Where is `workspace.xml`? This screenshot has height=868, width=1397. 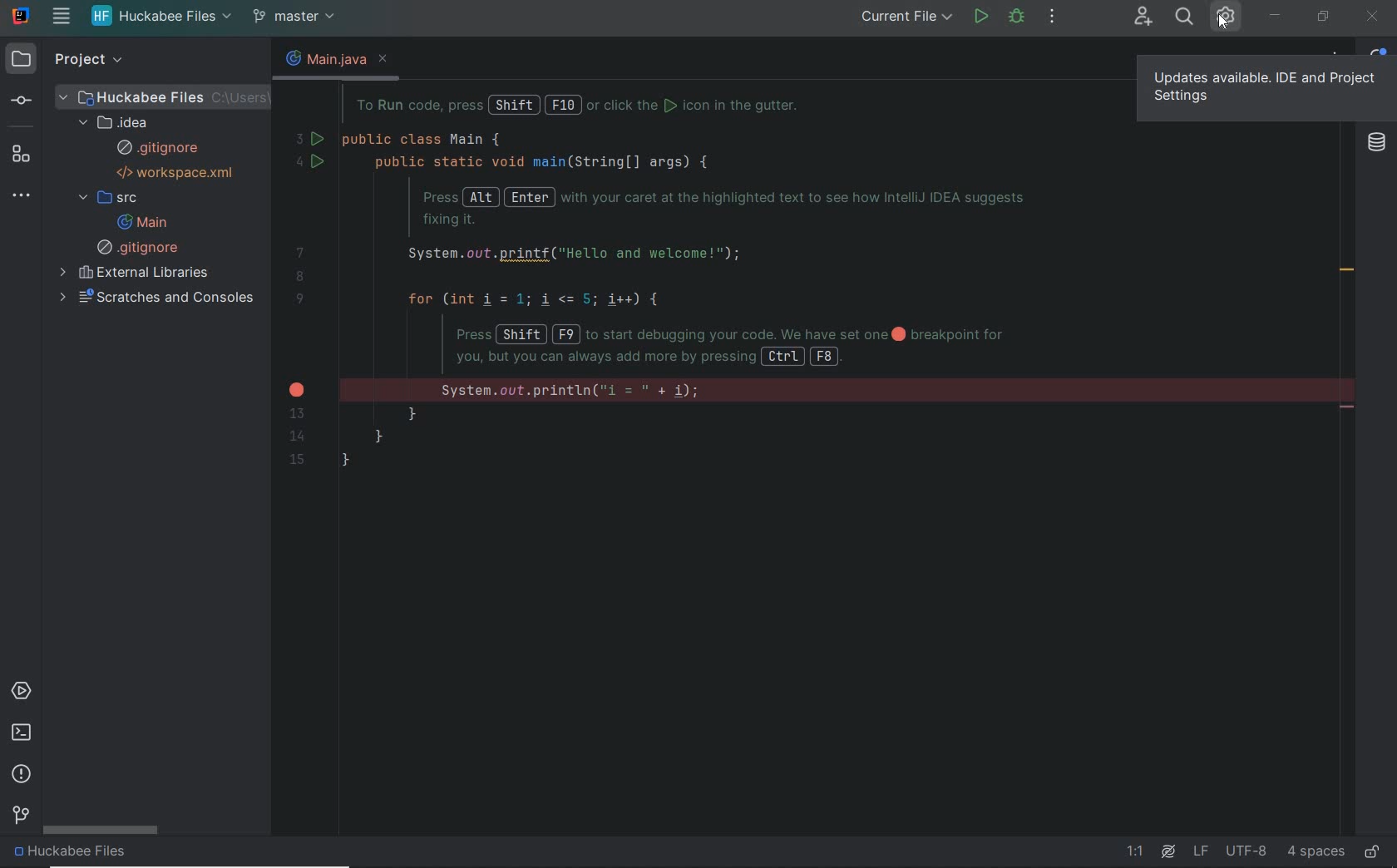
workspace.xml is located at coordinates (178, 172).